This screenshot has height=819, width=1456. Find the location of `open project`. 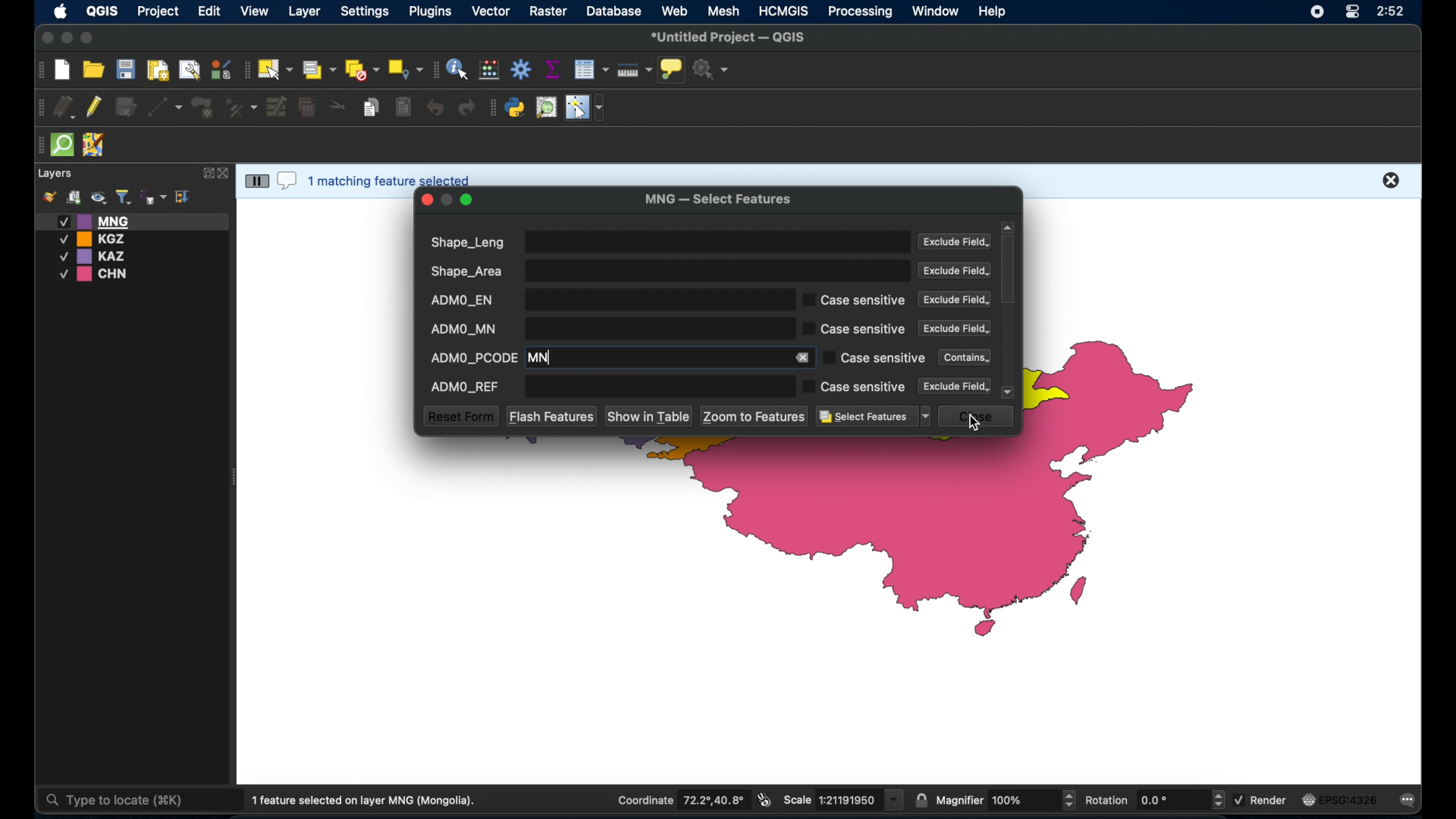

open project is located at coordinates (93, 69).